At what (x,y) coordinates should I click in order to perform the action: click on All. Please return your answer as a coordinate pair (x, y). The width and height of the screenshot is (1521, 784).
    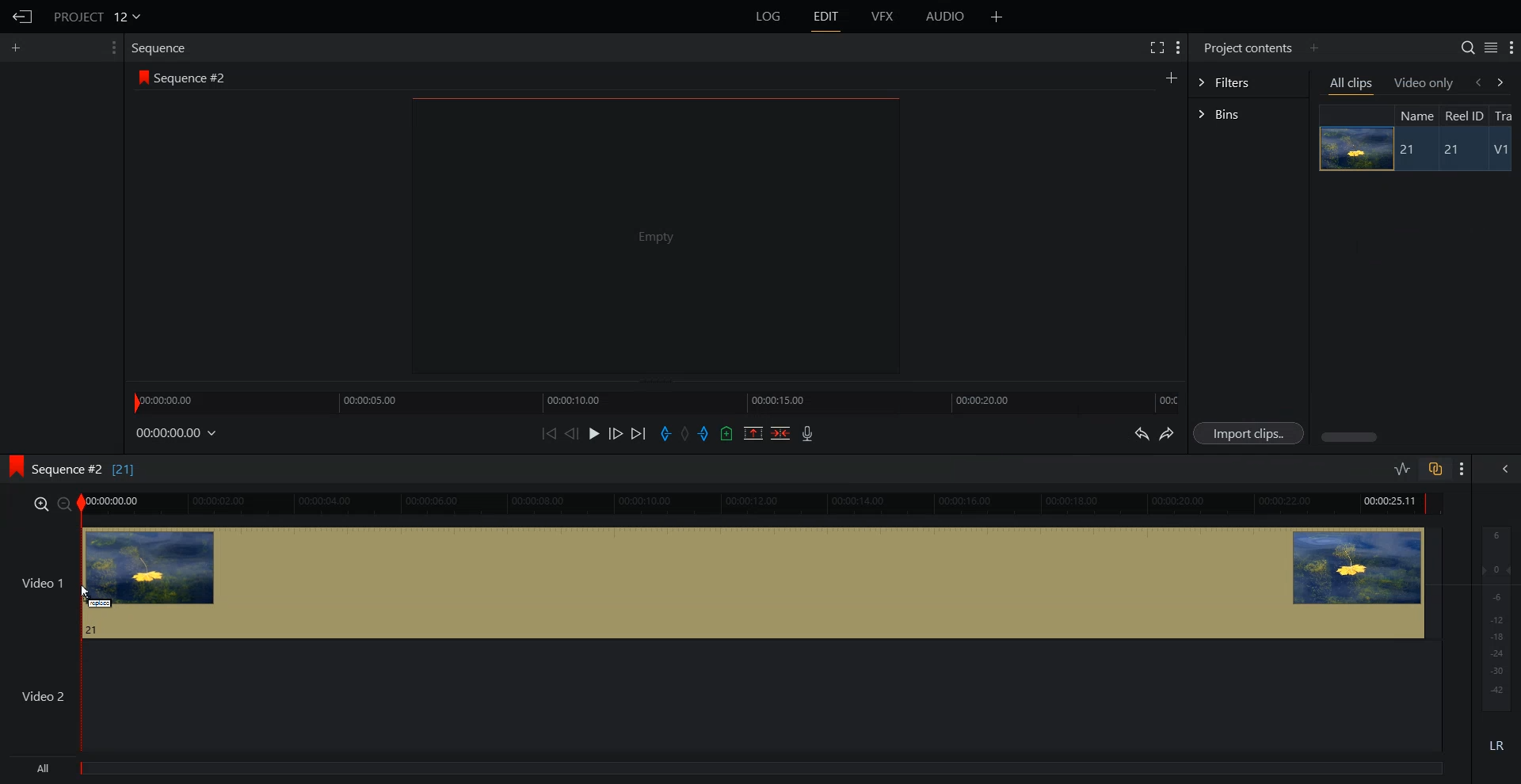
    Looking at the image, I should click on (728, 770).